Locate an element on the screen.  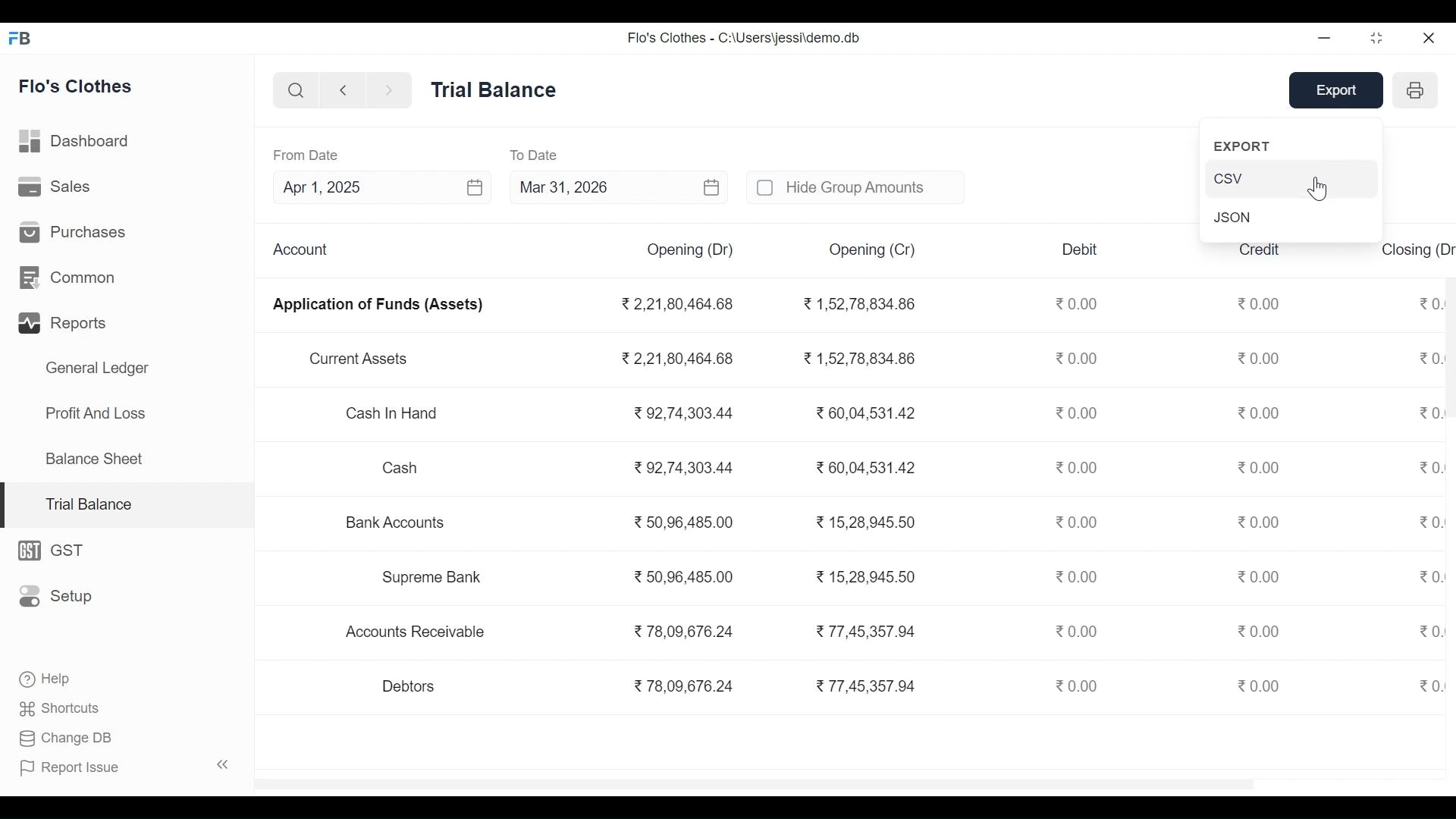
0.00 is located at coordinates (1078, 575).